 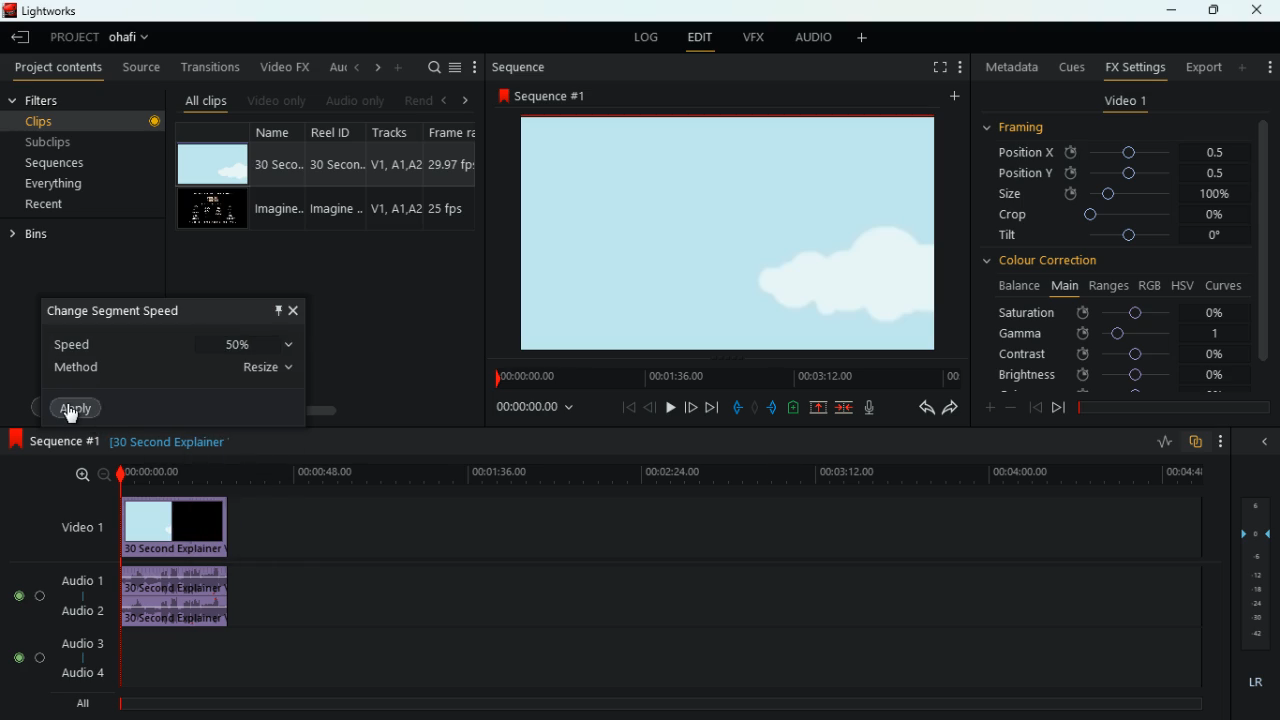 What do you see at coordinates (102, 38) in the screenshot?
I see `project` at bounding box center [102, 38].